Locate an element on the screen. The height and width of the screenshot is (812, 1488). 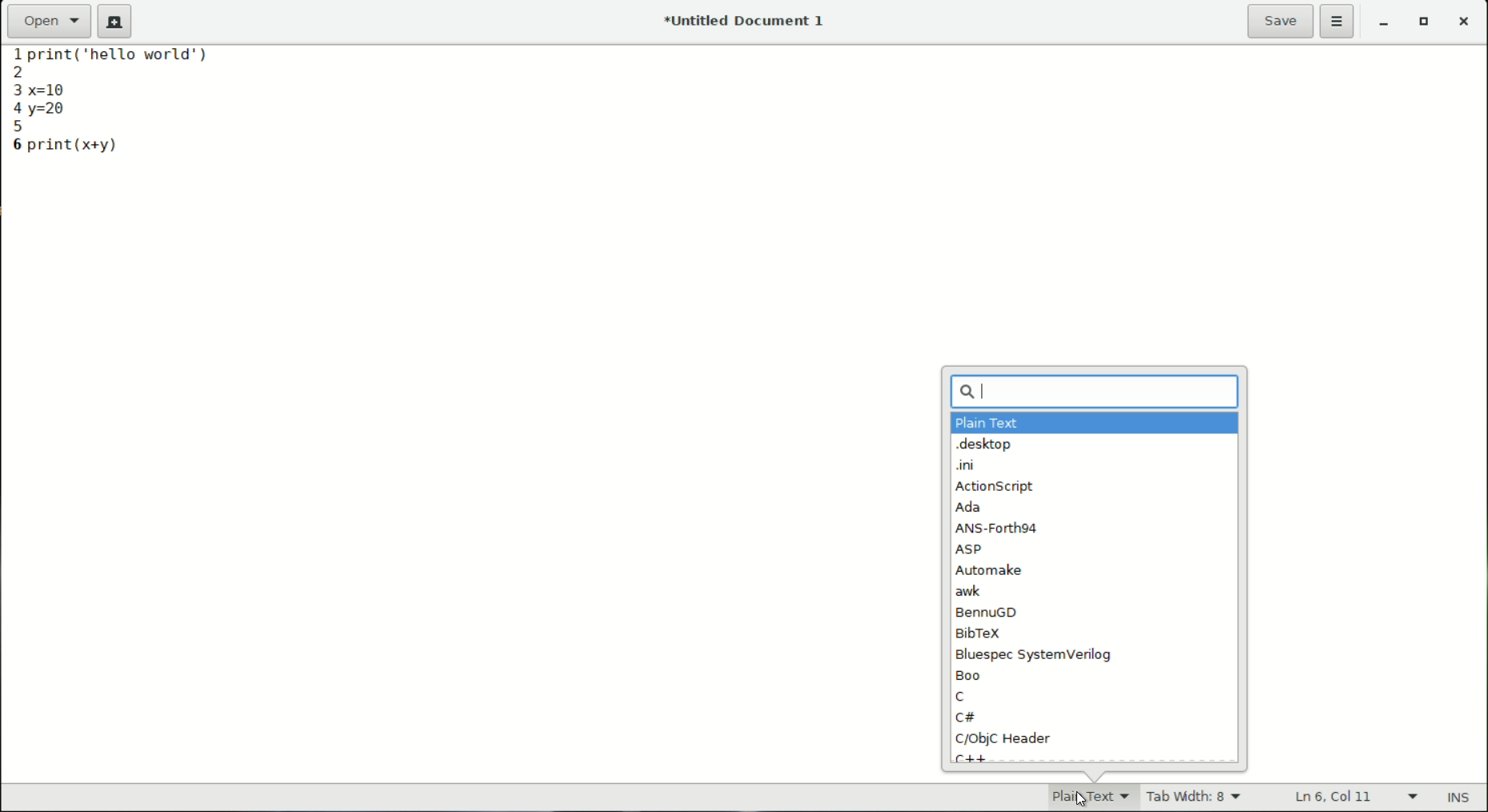
automake is located at coordinates (991, 571).